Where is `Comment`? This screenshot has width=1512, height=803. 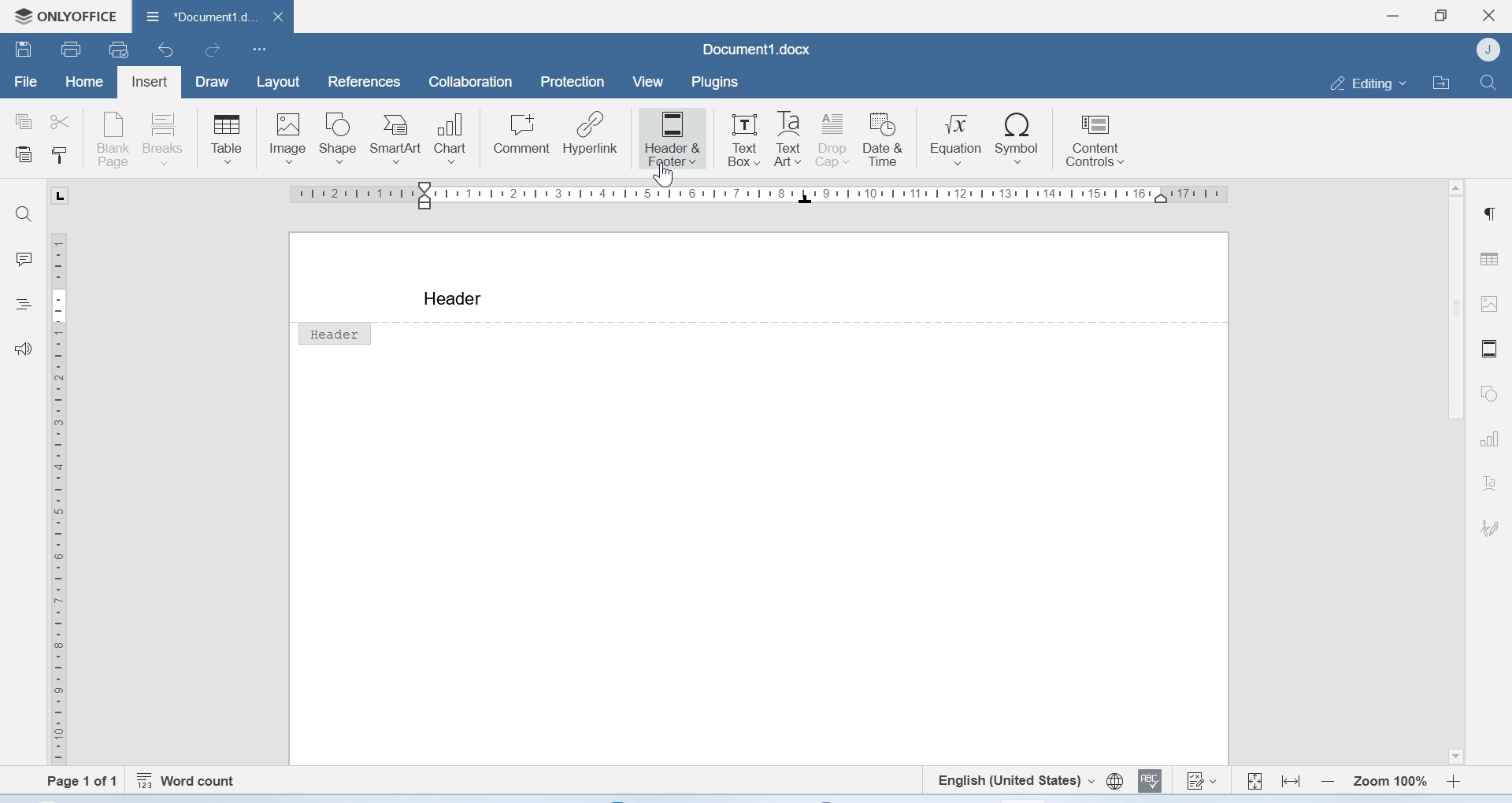 Comment is located at coordinates (522, 135).